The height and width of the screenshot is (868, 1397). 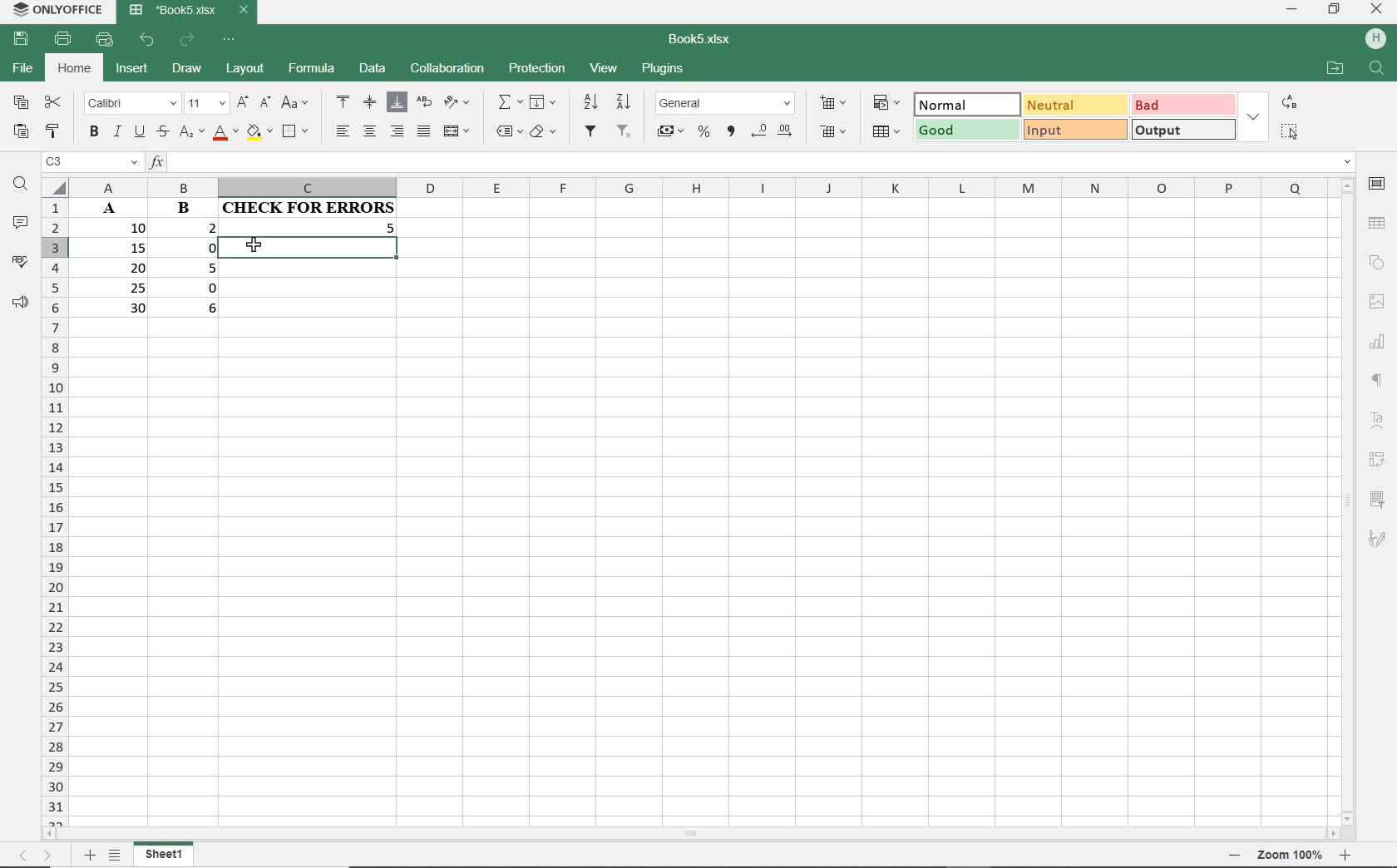 What do you see at coordinates (1380, 381) in the screenshot?
I see `` at bounding box center [1380, 381].